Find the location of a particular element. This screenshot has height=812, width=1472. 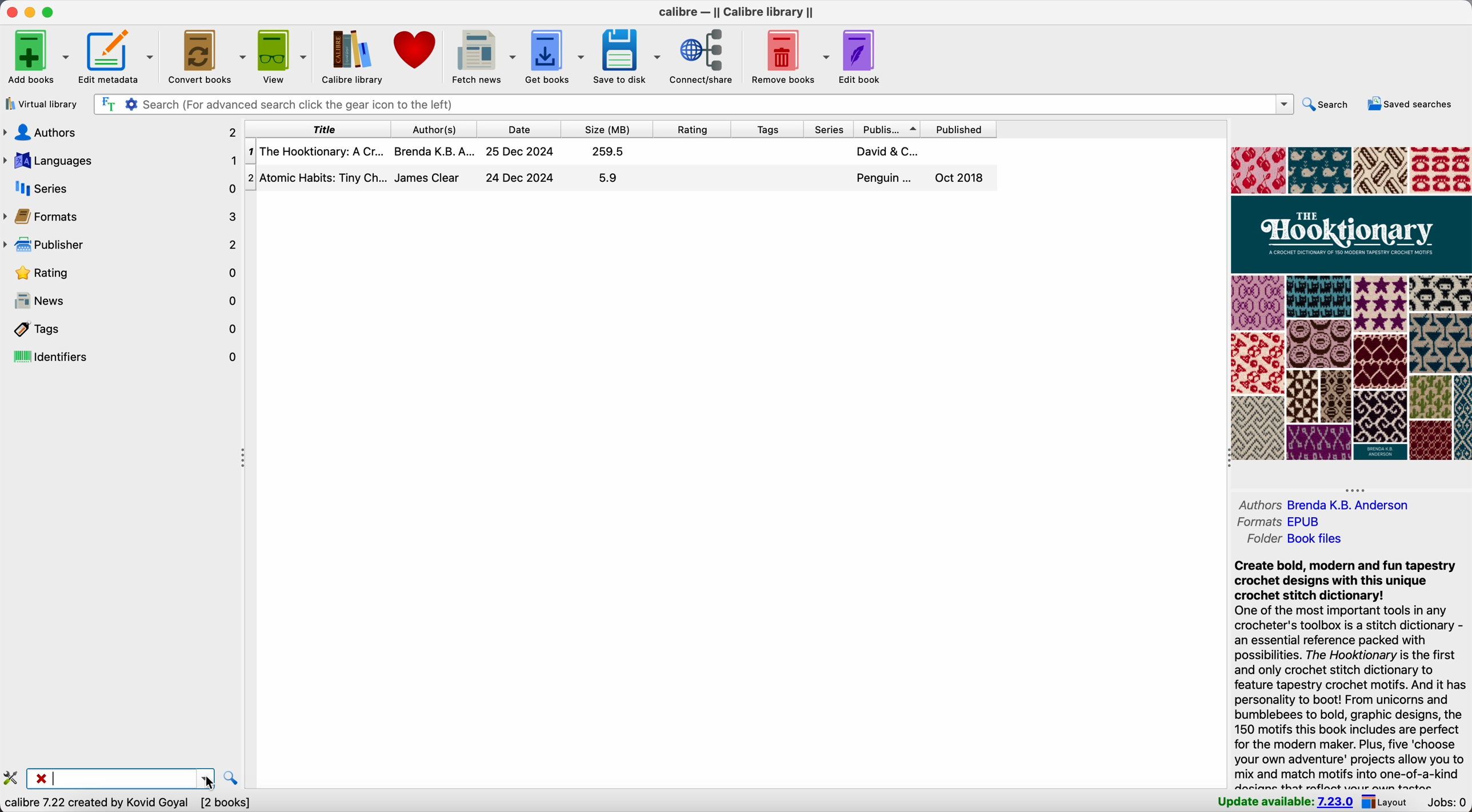

edit metadata is located at coordinates (121, 57).